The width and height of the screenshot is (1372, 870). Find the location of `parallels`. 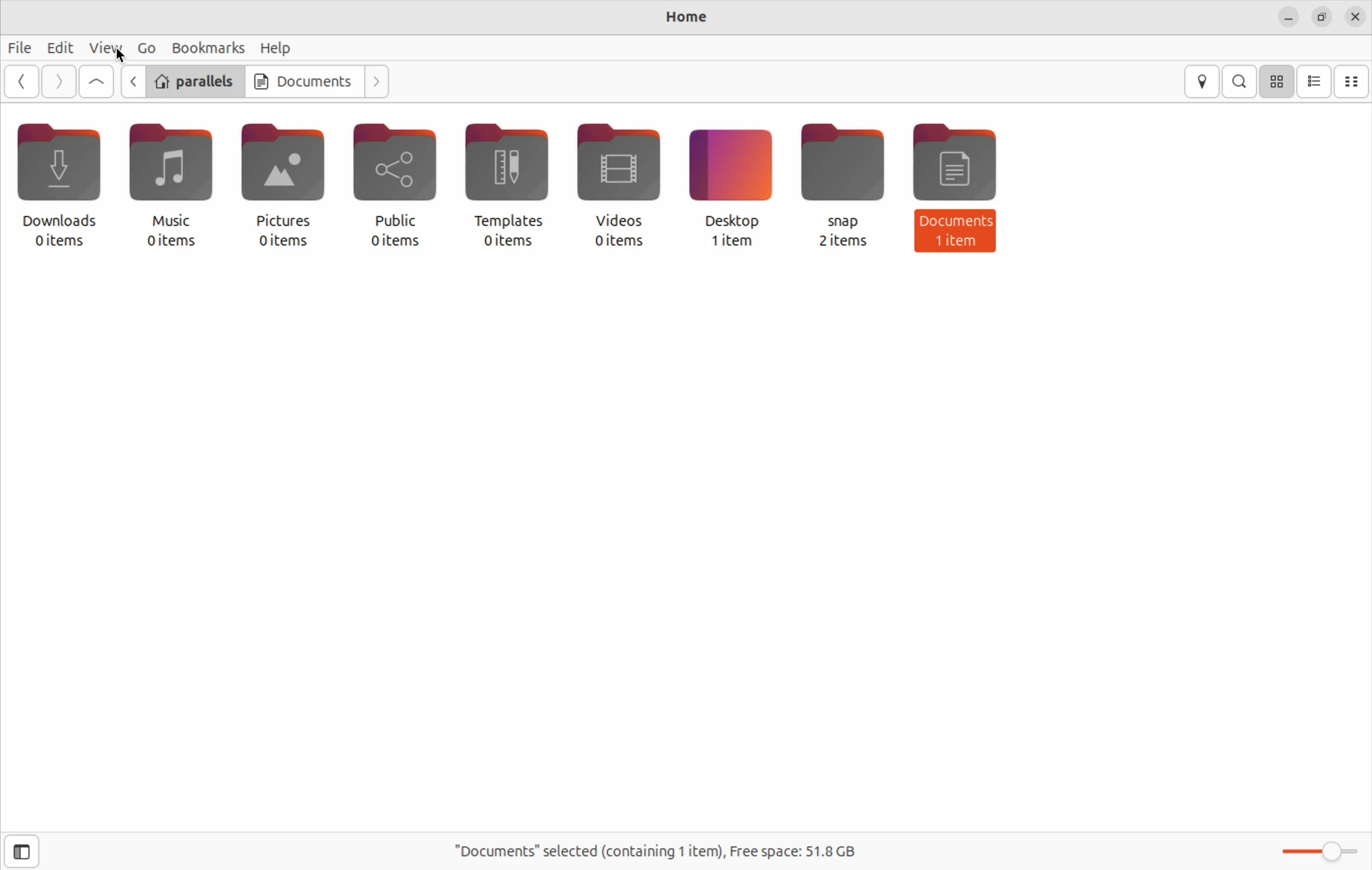

parallels is located at coordinates (196, 81).